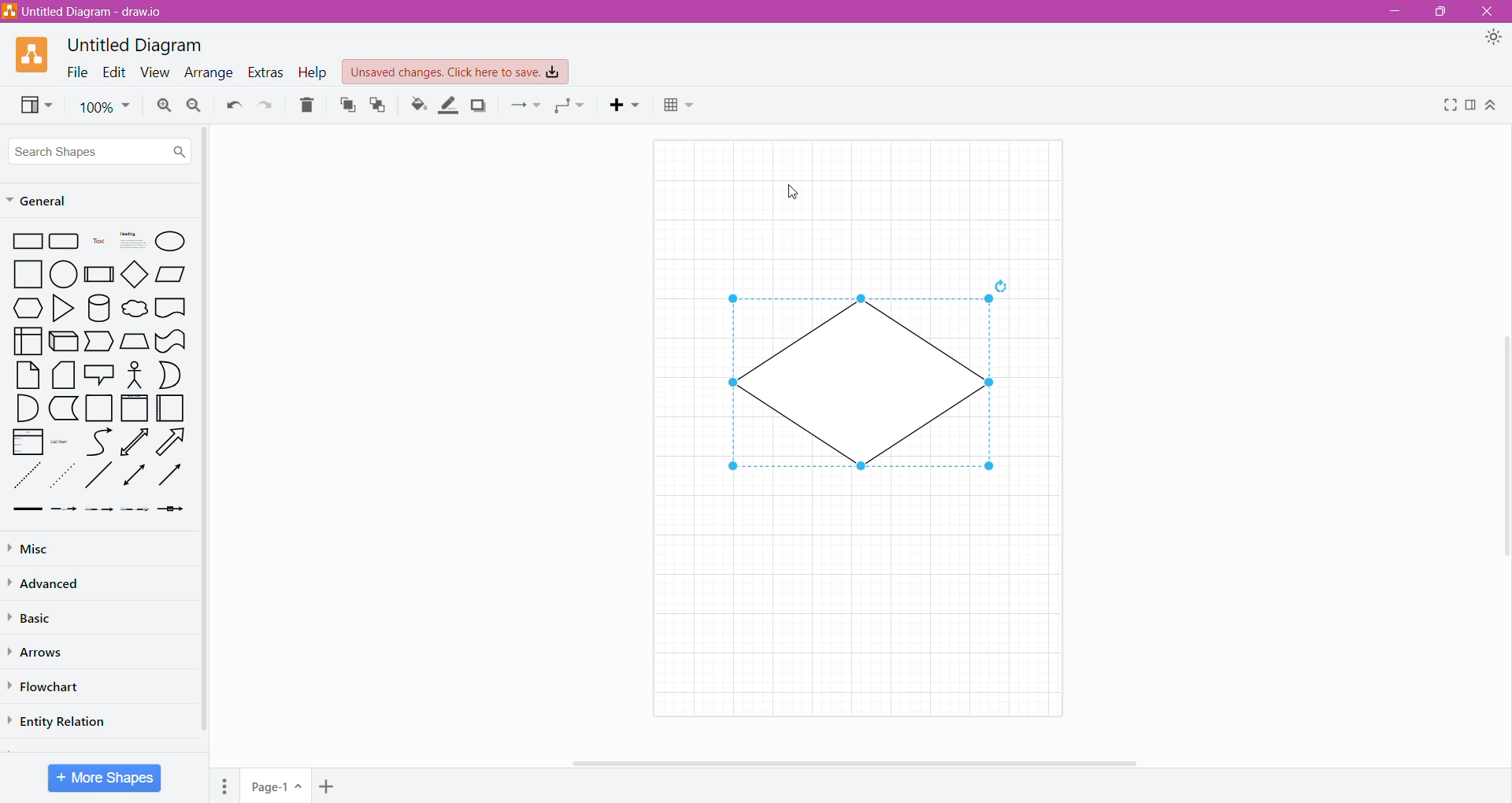 The height and width of the screenshot is (803, 1512). What do you see at coordinates (858, 761) in the screenshot?
I see `Horizontal Scroll Bar` at bounding box center [858, 761].